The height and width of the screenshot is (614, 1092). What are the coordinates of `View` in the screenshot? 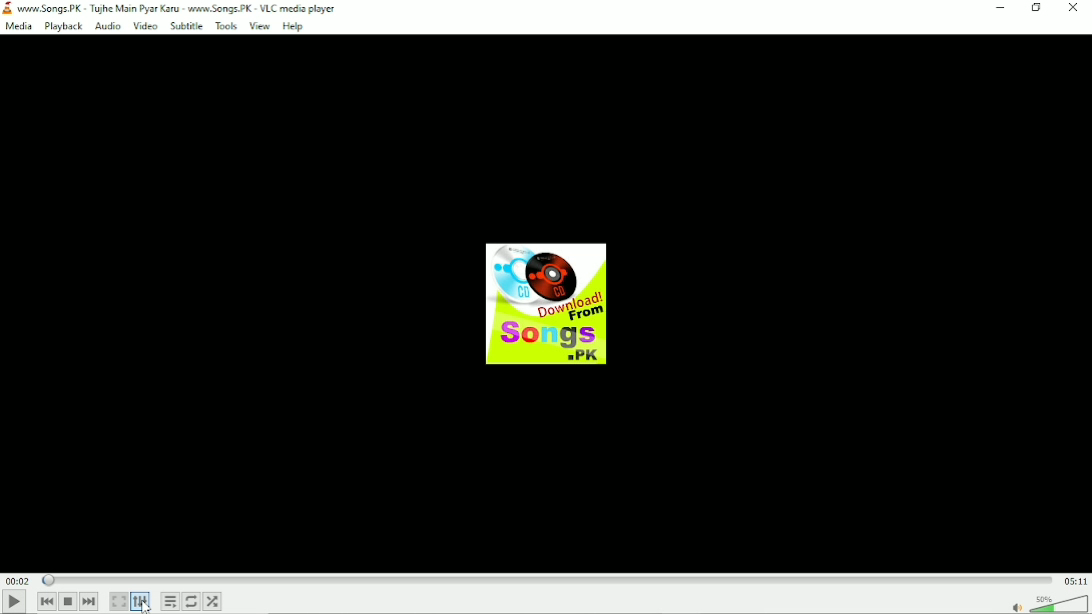 It's located at (257, 26).